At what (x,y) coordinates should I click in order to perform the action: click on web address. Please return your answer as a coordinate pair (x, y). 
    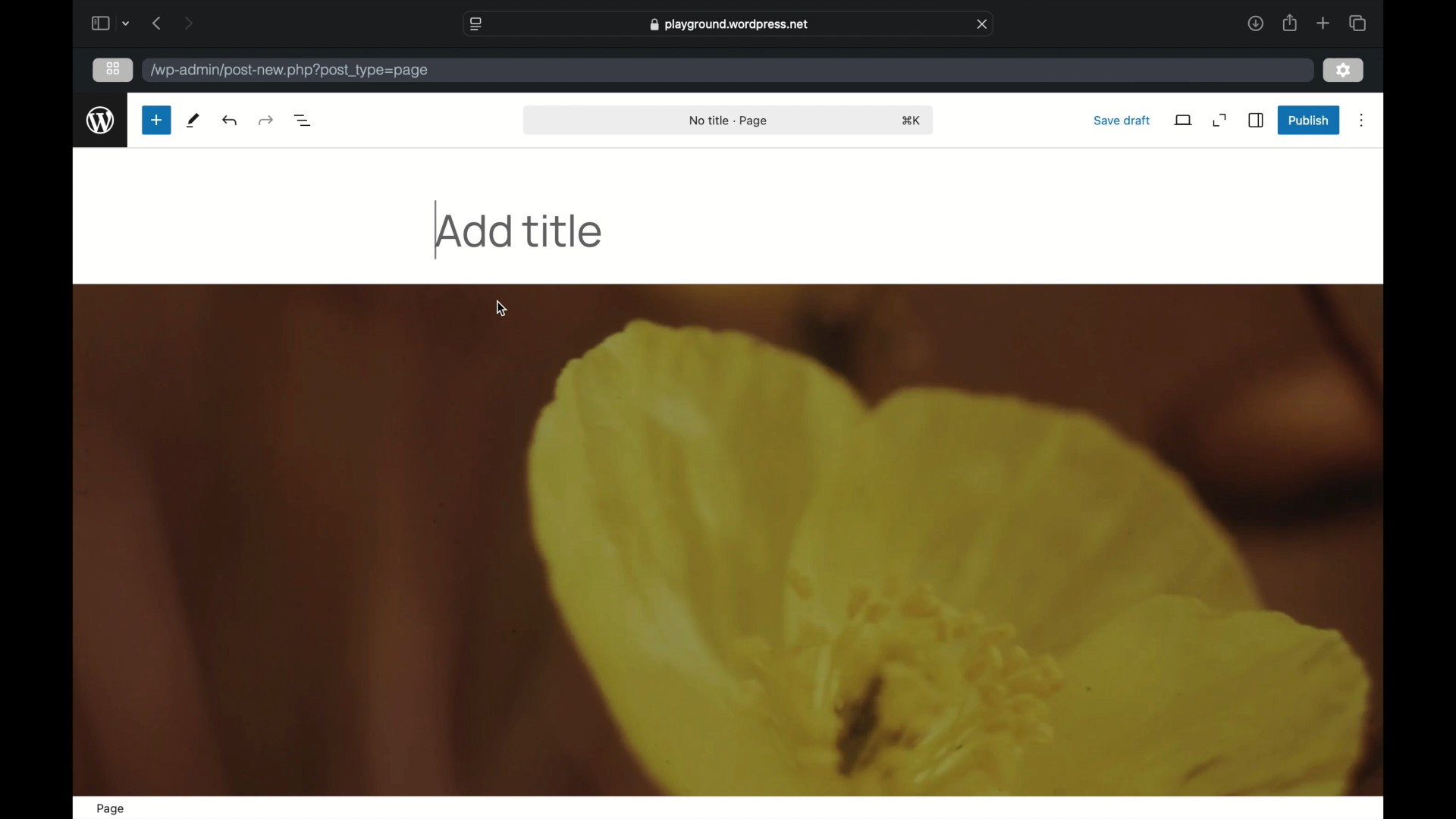
    Looking at the image, I should click on (729, 23).